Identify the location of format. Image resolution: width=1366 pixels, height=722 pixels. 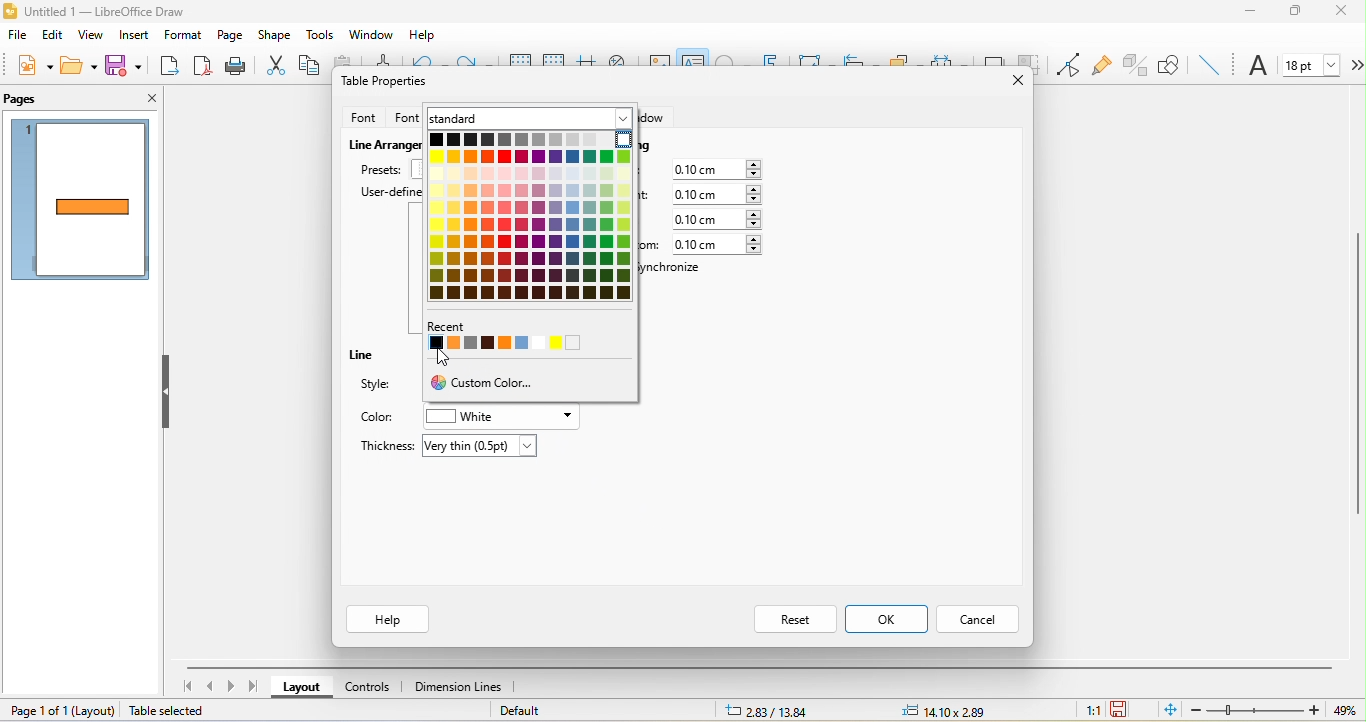
(185, 35).